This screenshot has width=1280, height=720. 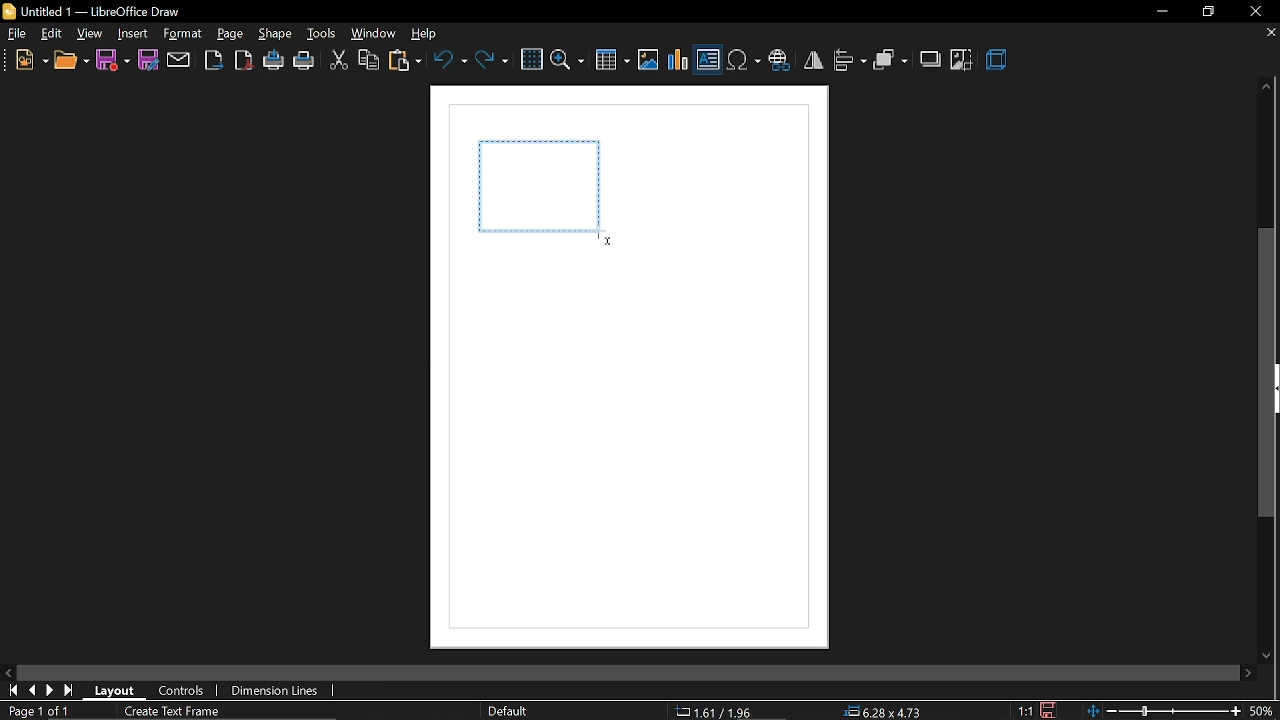 What do you see at coordinates (813, 60) in the screenshot?
I see `flip` at bounding box center [813, 60].